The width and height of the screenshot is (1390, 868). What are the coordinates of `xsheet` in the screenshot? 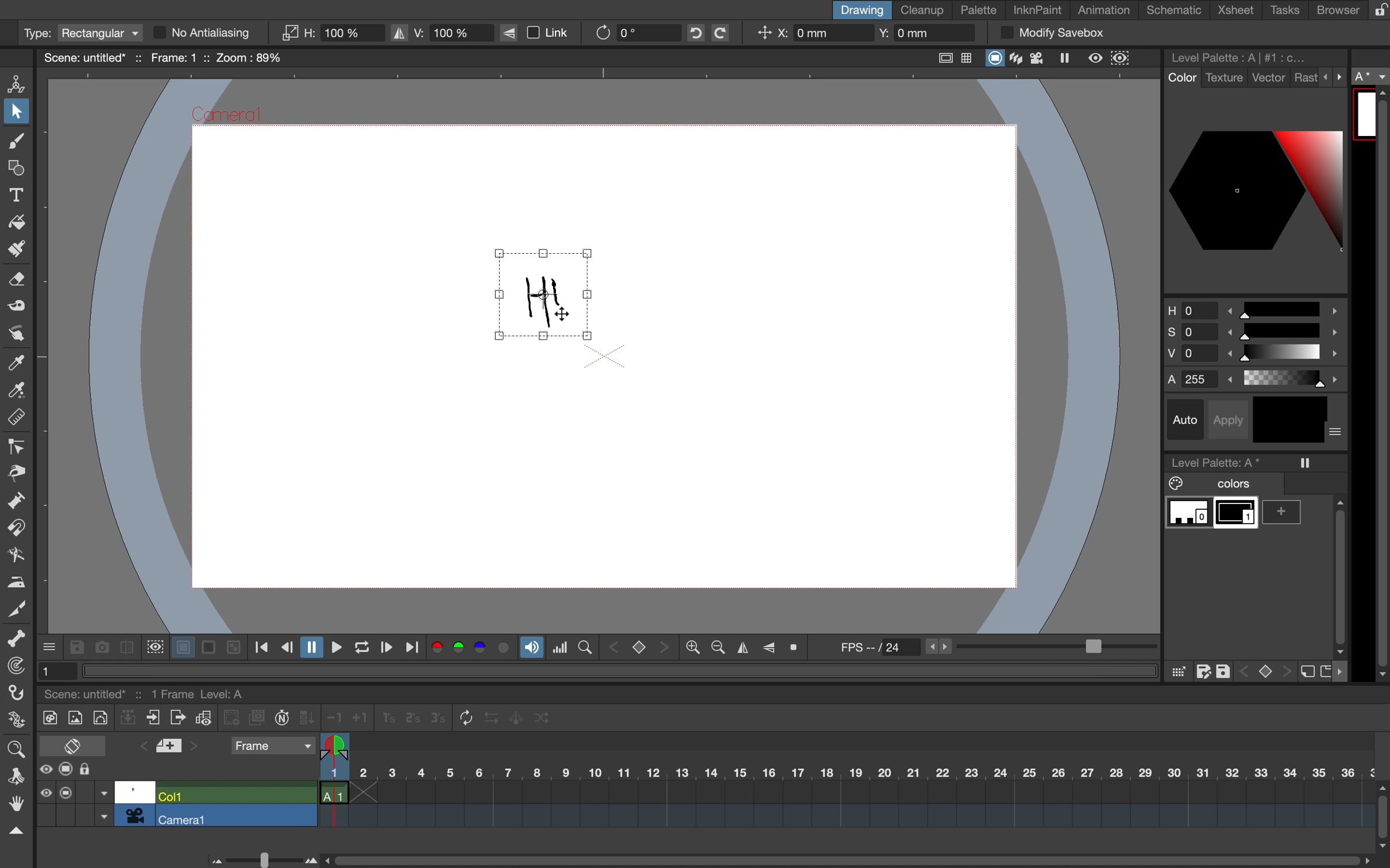 It's located at (1238, 11).